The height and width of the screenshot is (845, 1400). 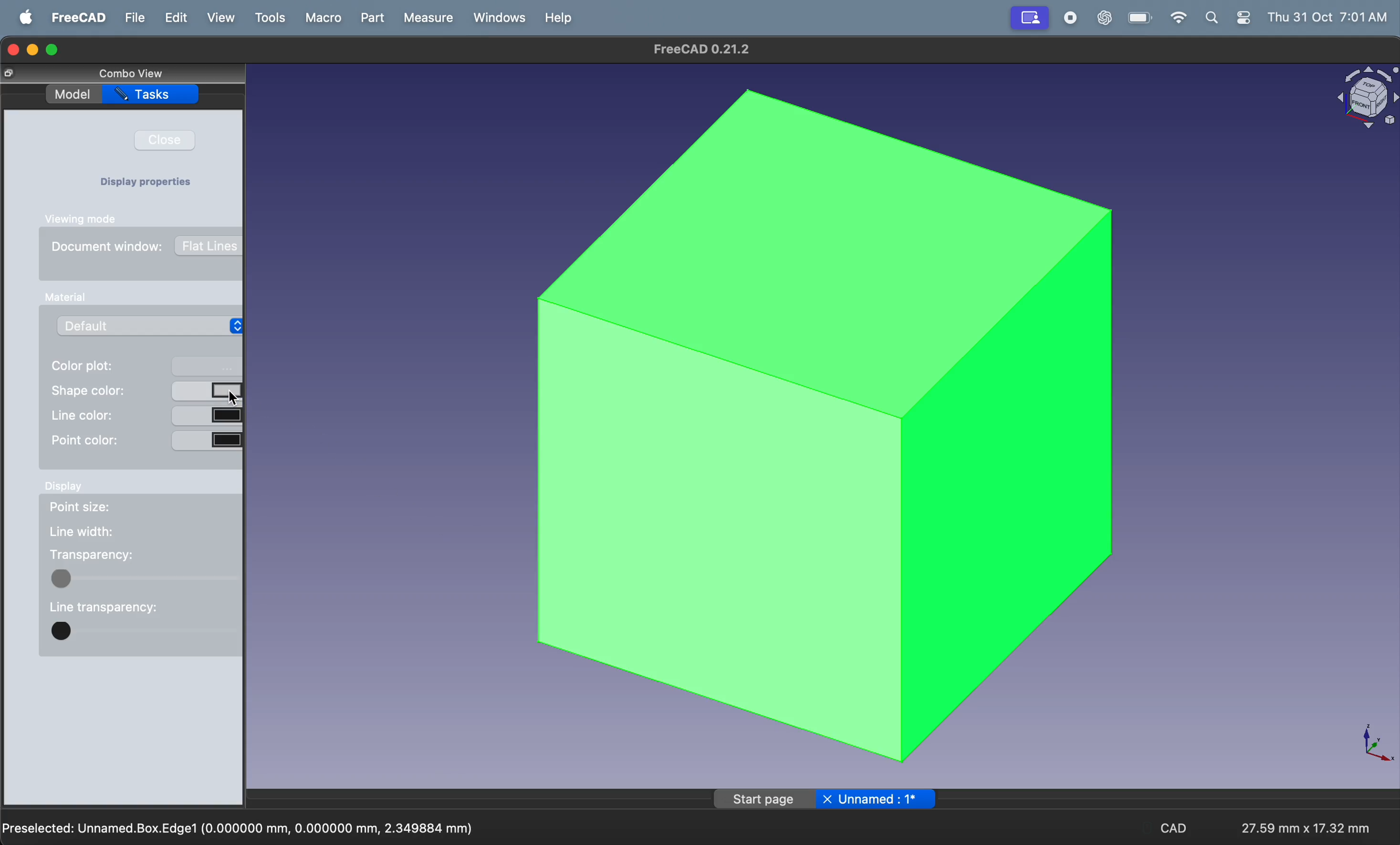 What do you see at coordinates (147, 390) in the screenshot?
I see `shape color` at bounding box center [147, 390].